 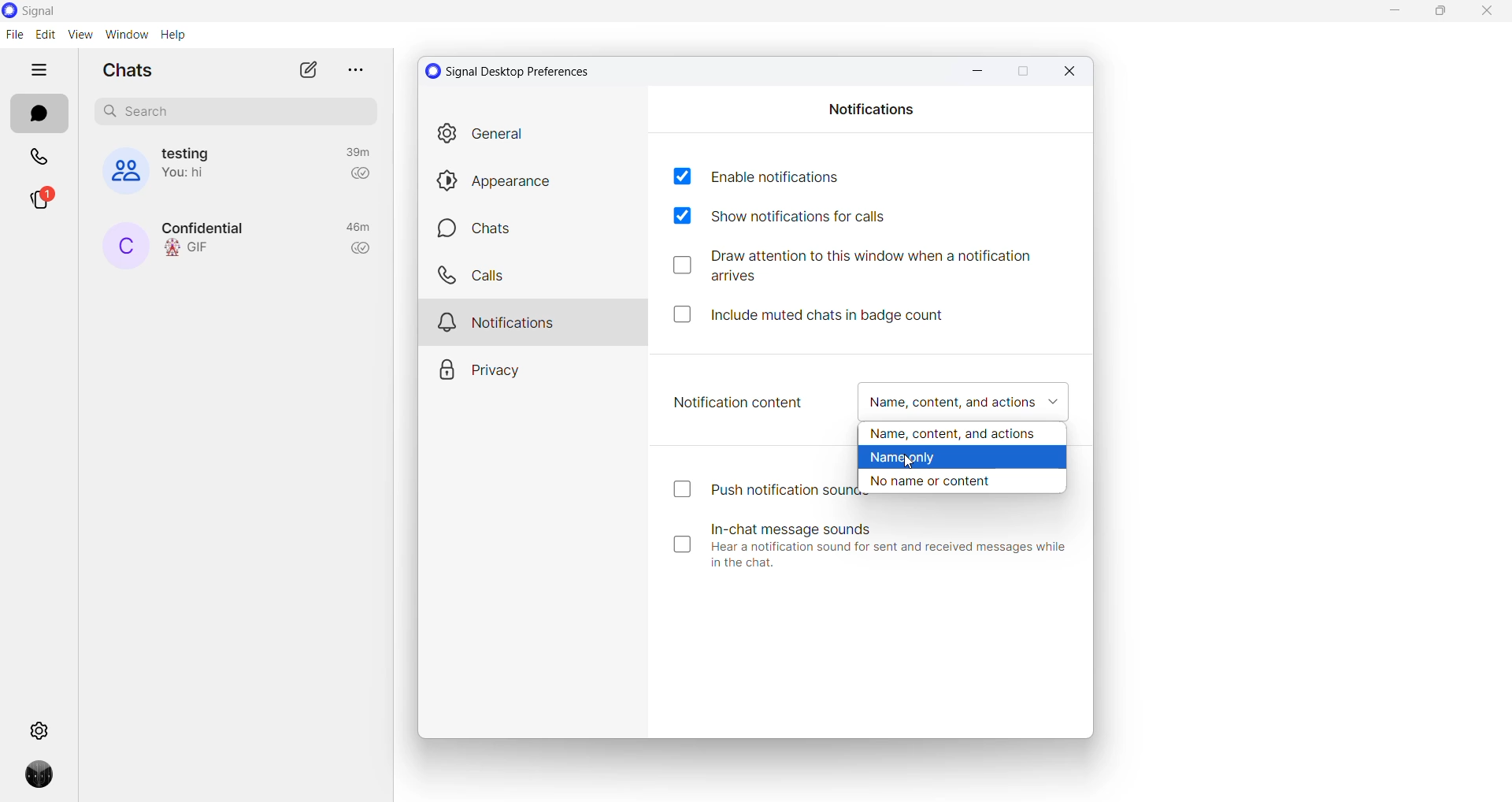 I want to click on notification, so click(x=536, y=319).